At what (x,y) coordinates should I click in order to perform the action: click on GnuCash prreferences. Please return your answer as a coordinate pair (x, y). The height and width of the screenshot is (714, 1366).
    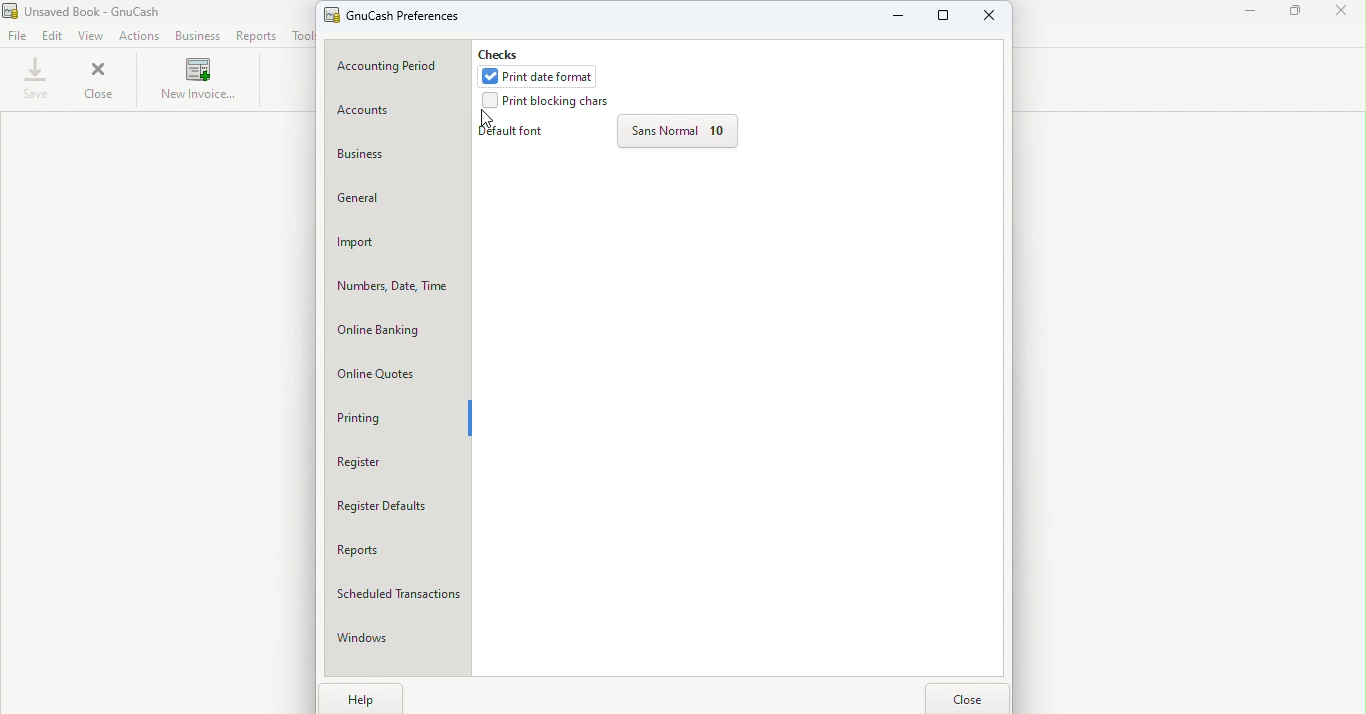
    Looking at the image, I should click on (405, 15).